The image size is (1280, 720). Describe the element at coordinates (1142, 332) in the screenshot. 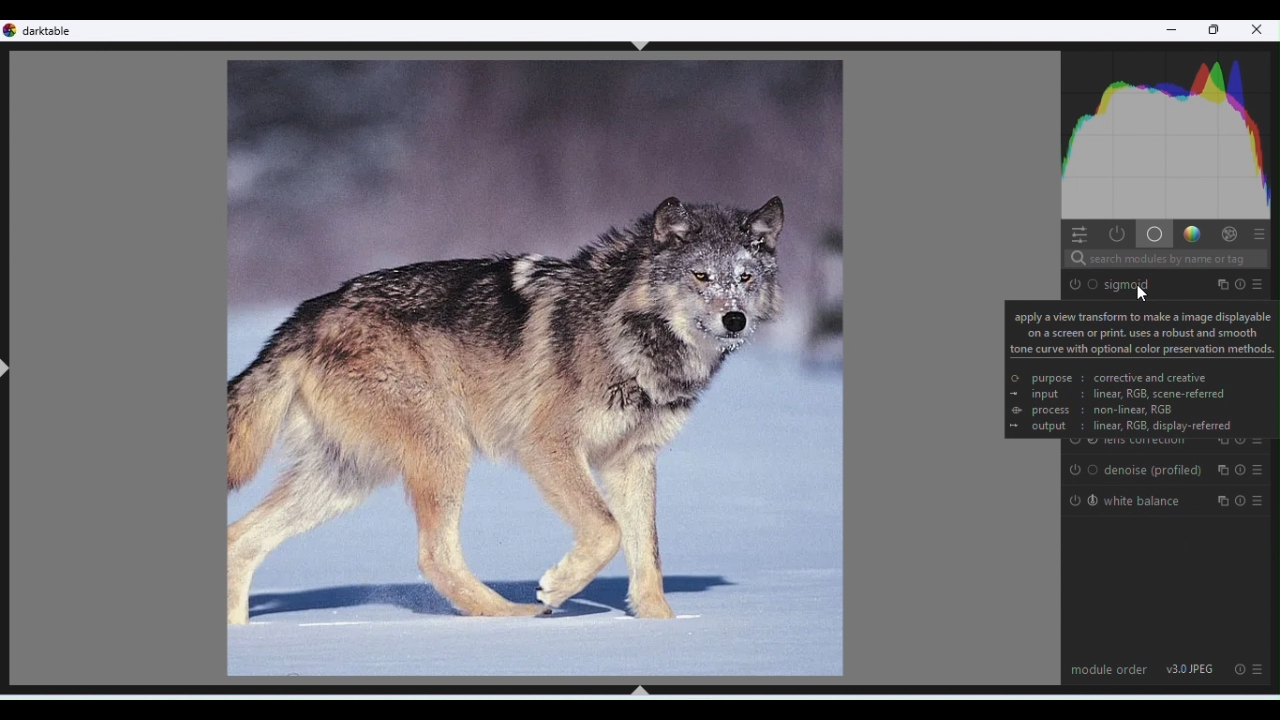

I see `‘on a screen or print. uses a robust and smooth` at that location.